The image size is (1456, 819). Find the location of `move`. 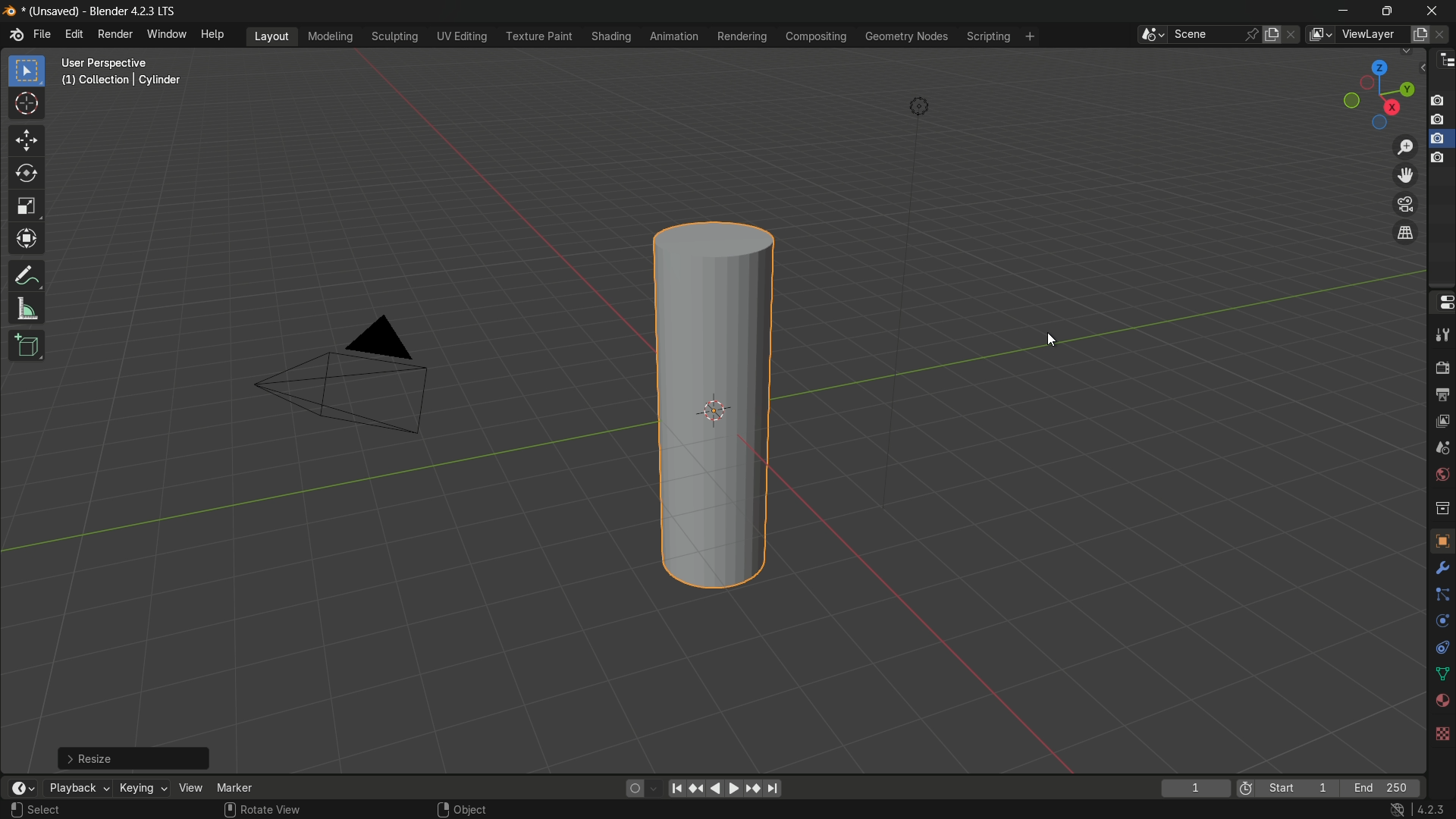

move is located at coordinates (28, 140).